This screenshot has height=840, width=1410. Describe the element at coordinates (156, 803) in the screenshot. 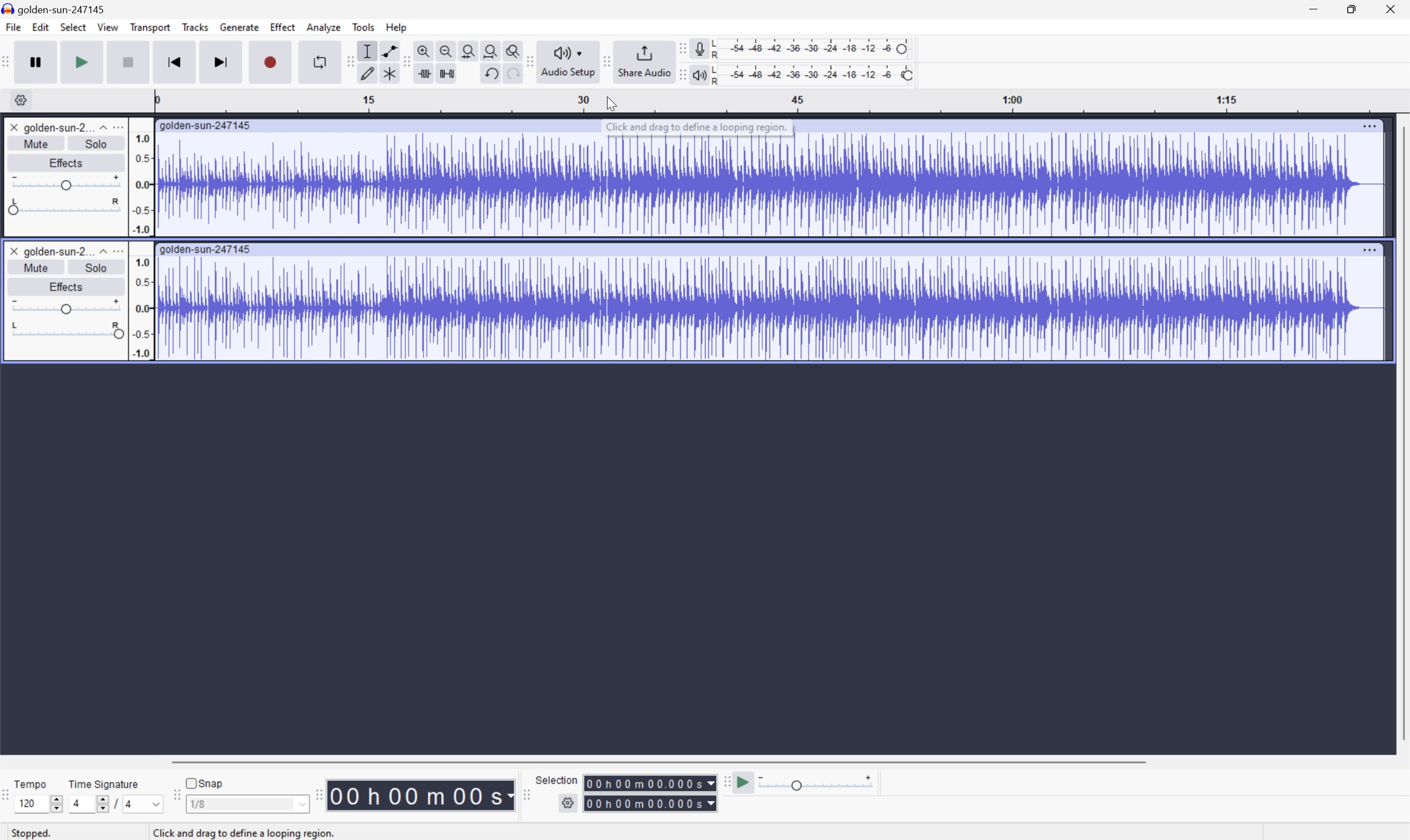

I see `Drop Down` at that location.